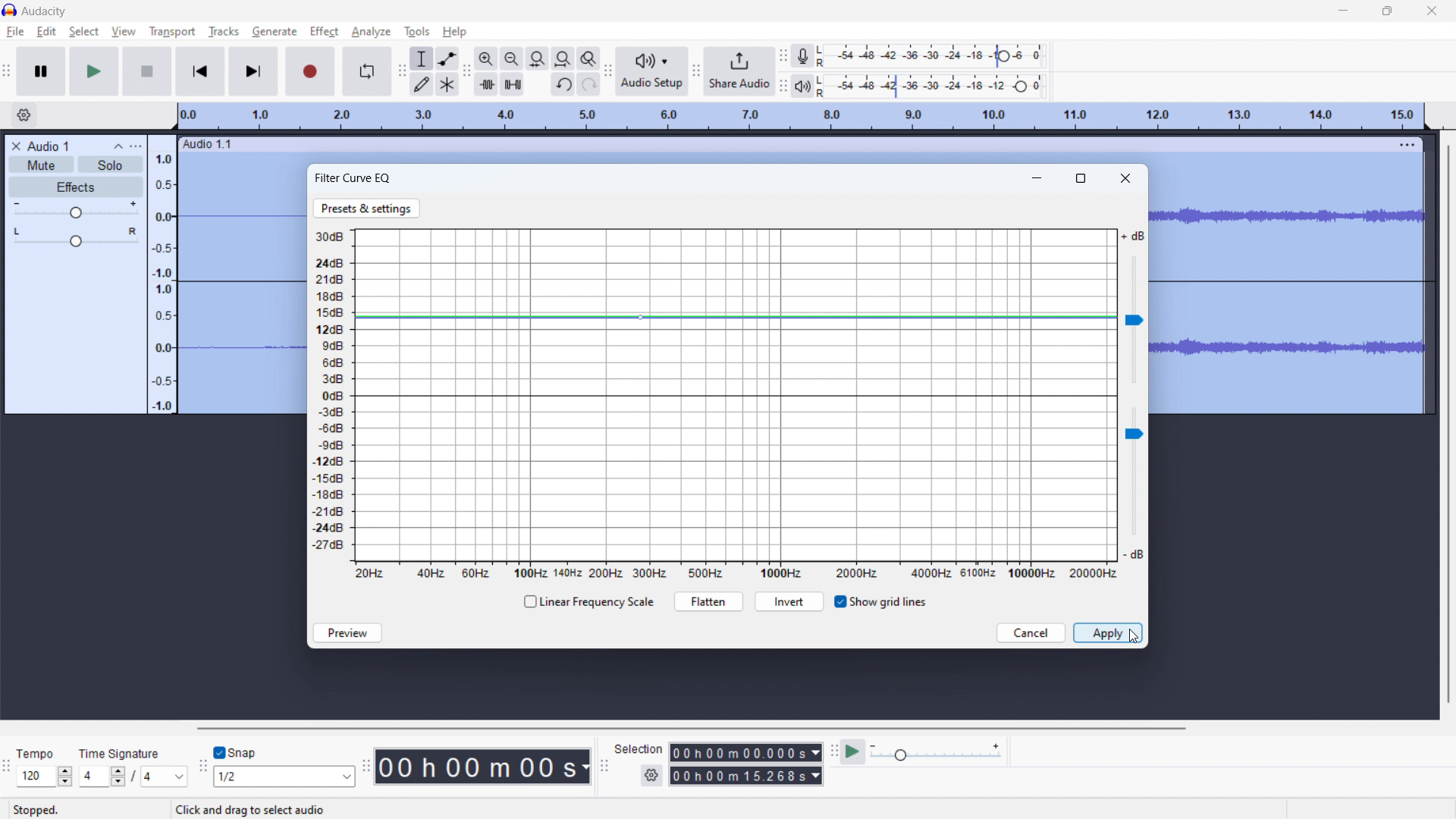 This screenshot has width=1456, height=819. I want to click on snapping toolbar, so click(202, 765).